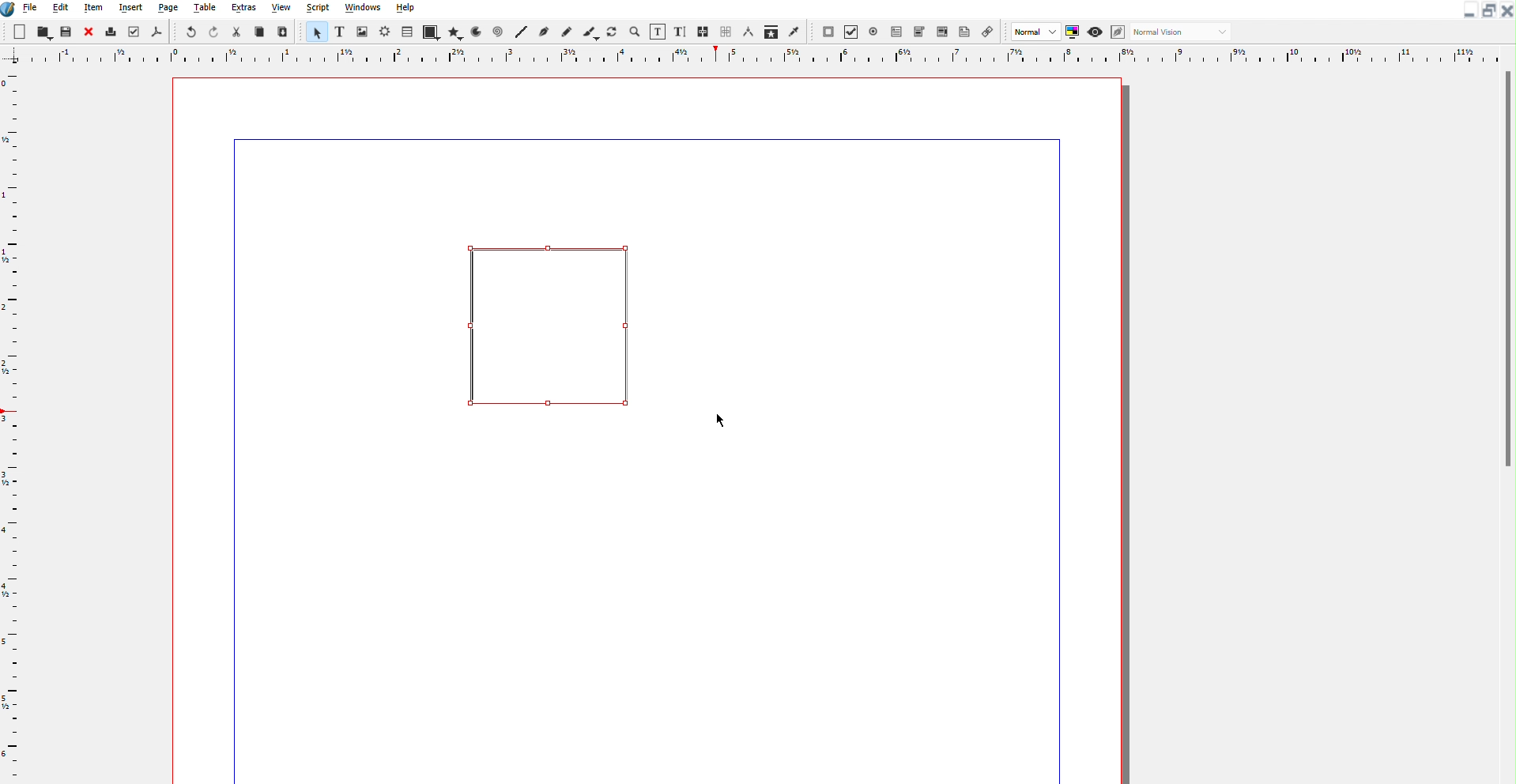  I want to click on Redo, so click(215, 32).